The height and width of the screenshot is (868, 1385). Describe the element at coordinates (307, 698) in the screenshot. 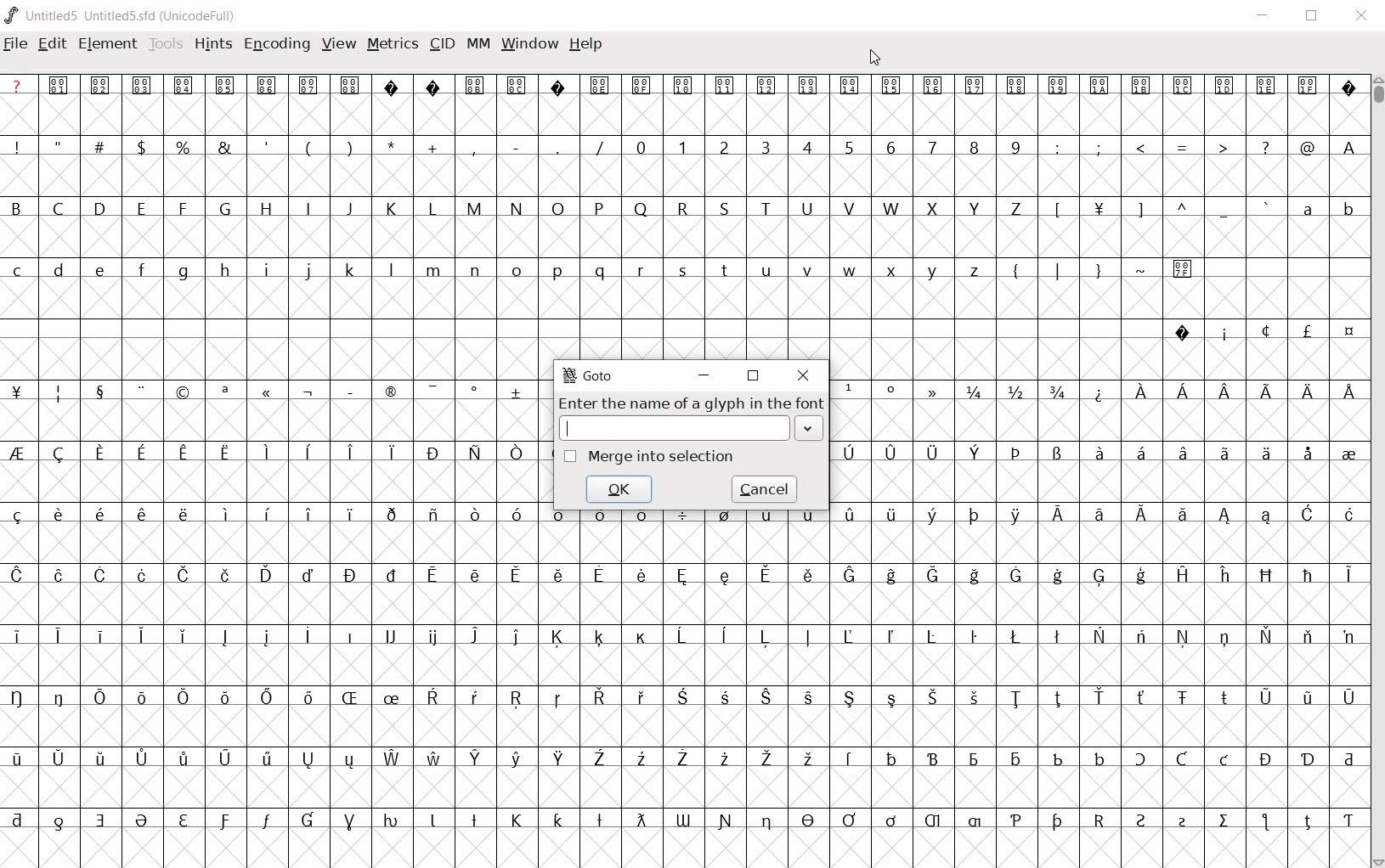

I see `Symbol` at that location.